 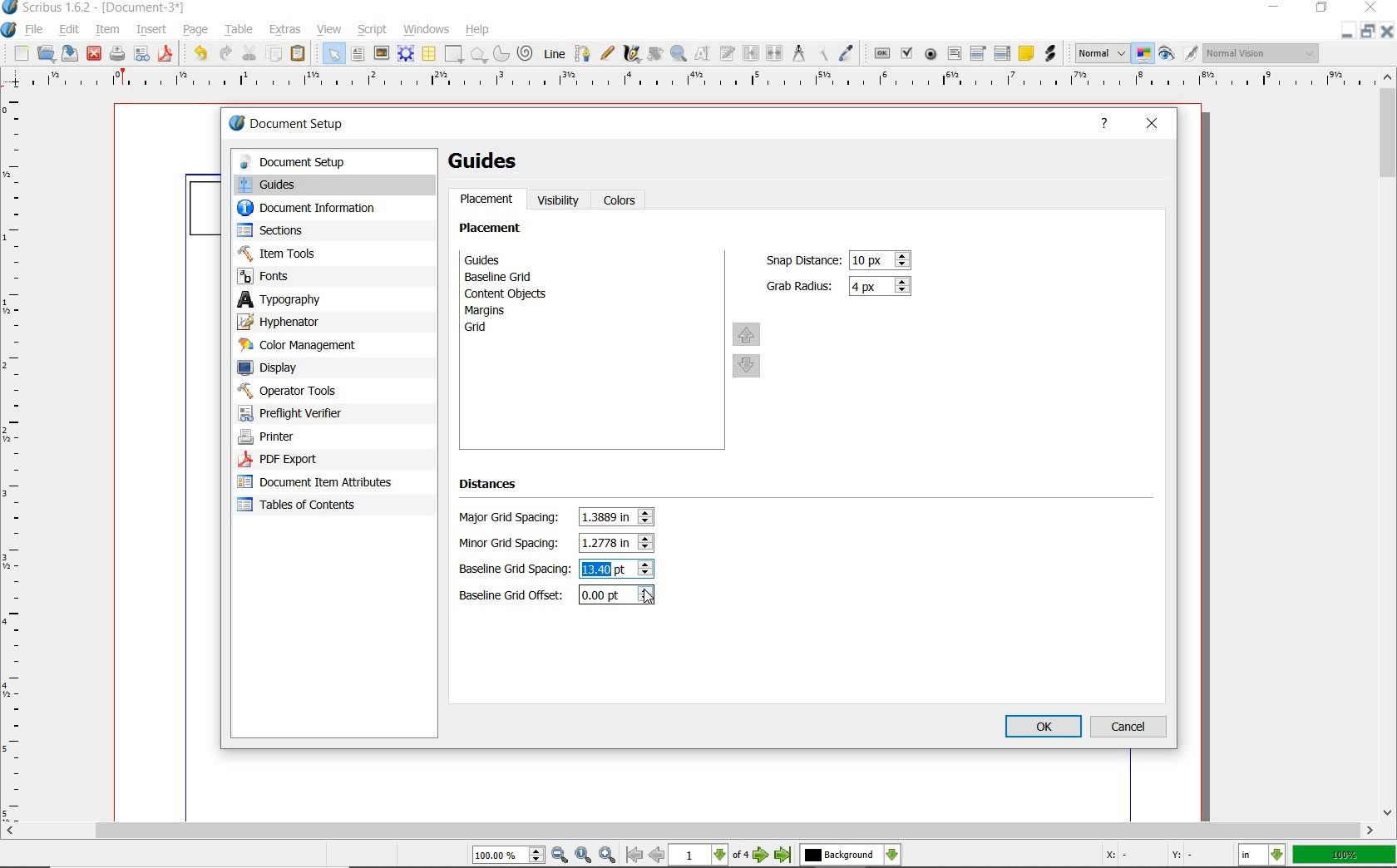 What do you see at coordinates (1389, 31) in the screenshot?
I see `close` at bounding box center [1389, 31].